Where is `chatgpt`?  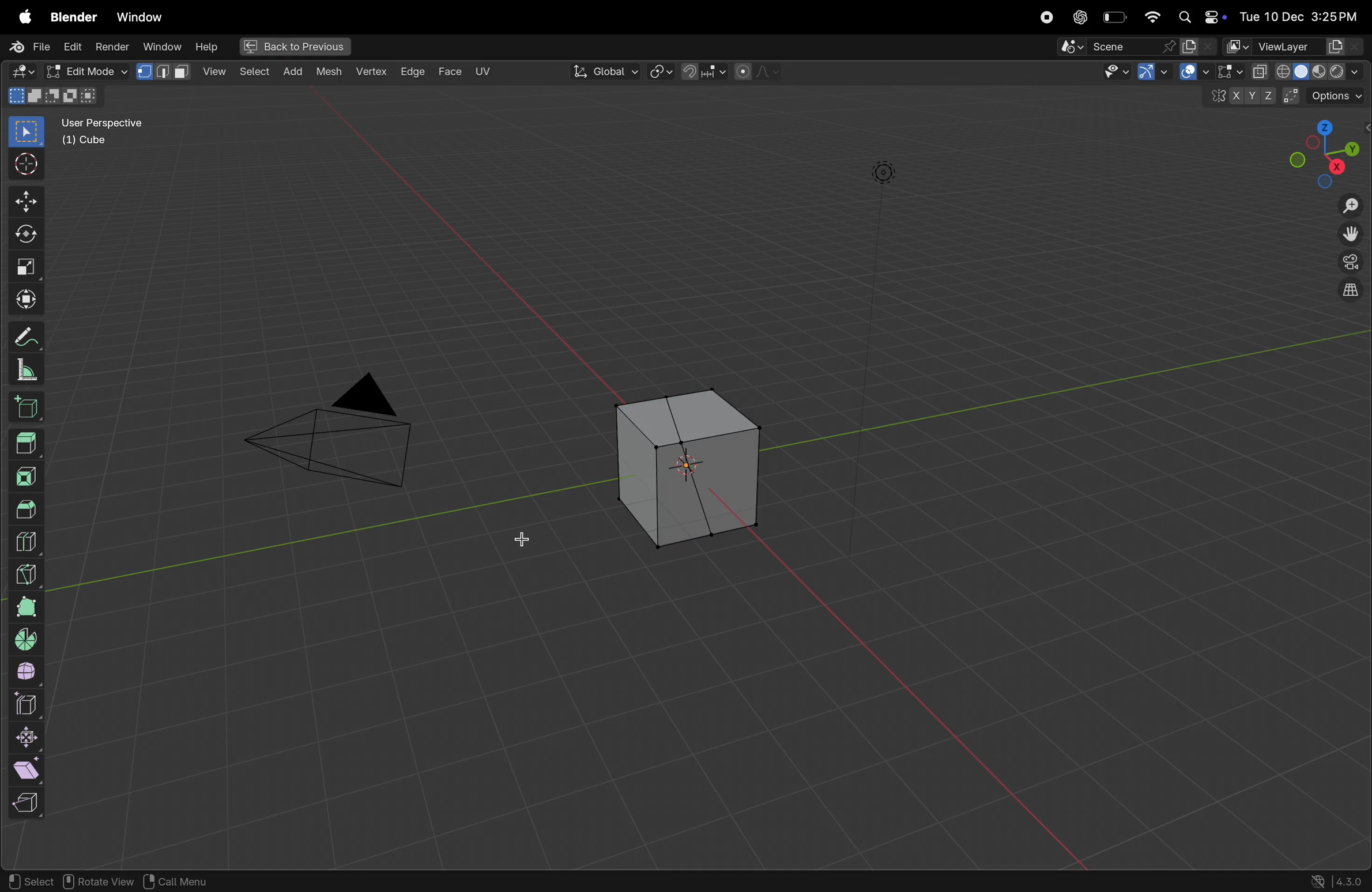
chatgpt is located at coordinates (1080, 17).